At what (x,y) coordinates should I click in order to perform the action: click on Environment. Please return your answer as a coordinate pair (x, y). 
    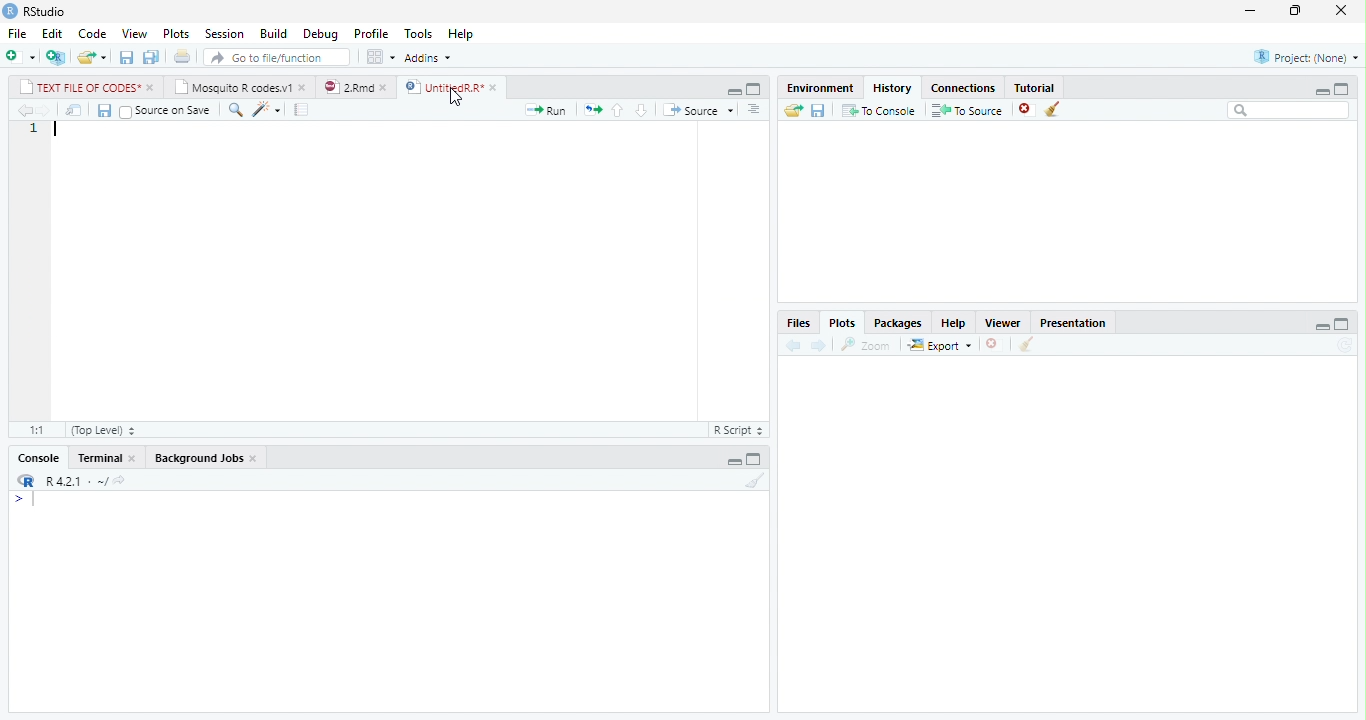
    Looking at the image, I should click on (820, 87).